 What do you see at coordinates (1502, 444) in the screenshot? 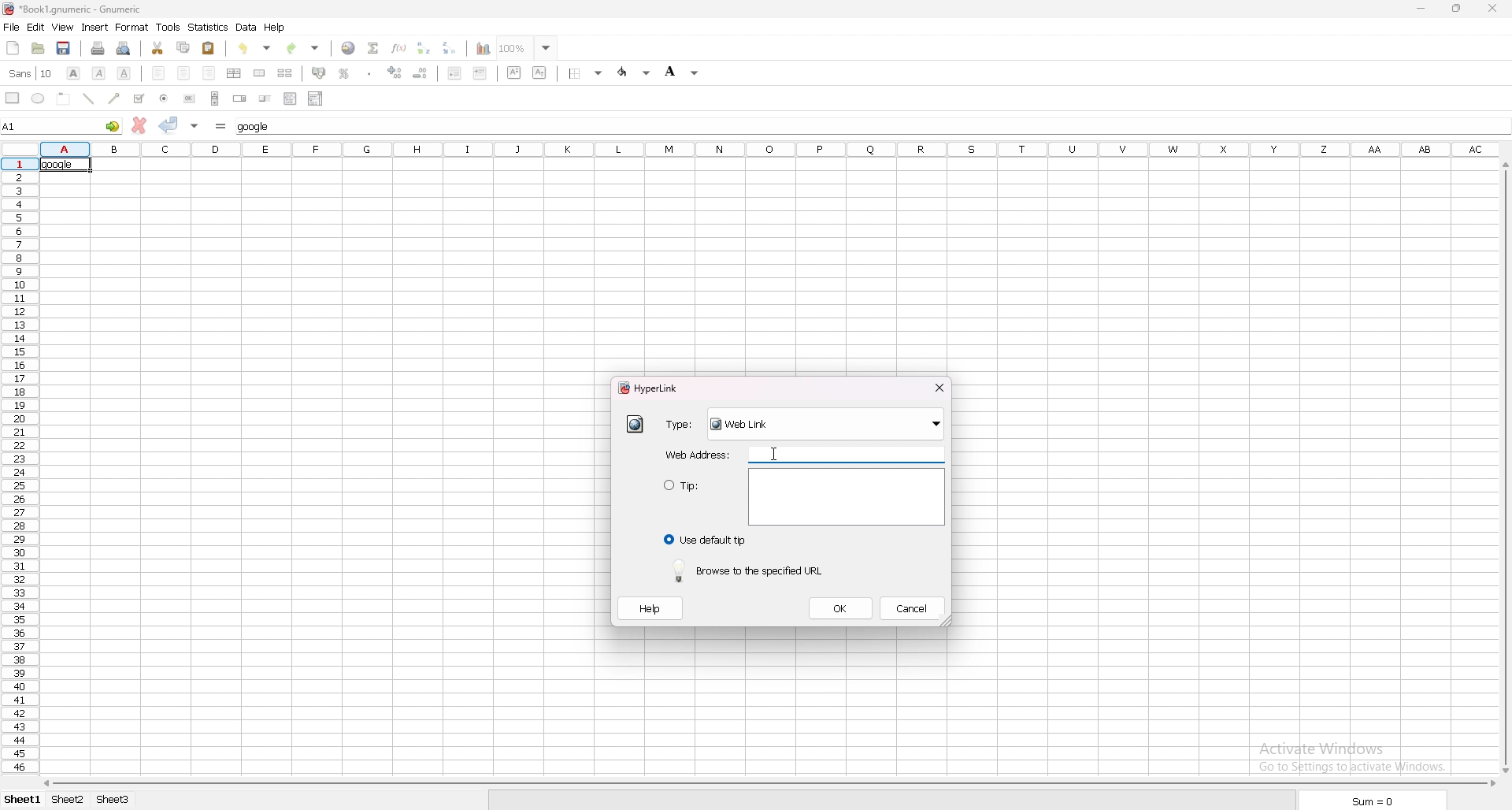
I see `cursor` at bounding box center [1502, 444].